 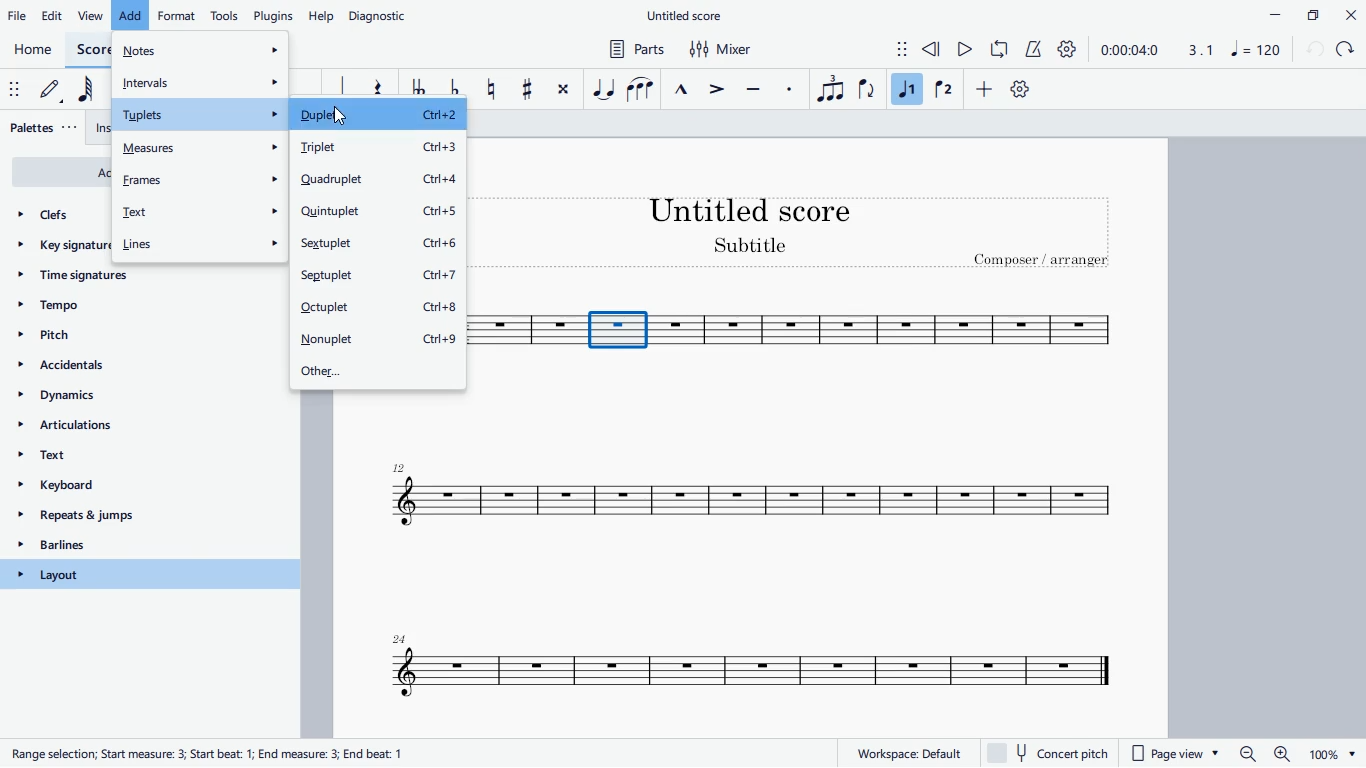 I want to click on forward, so click(x=1348, y=50).